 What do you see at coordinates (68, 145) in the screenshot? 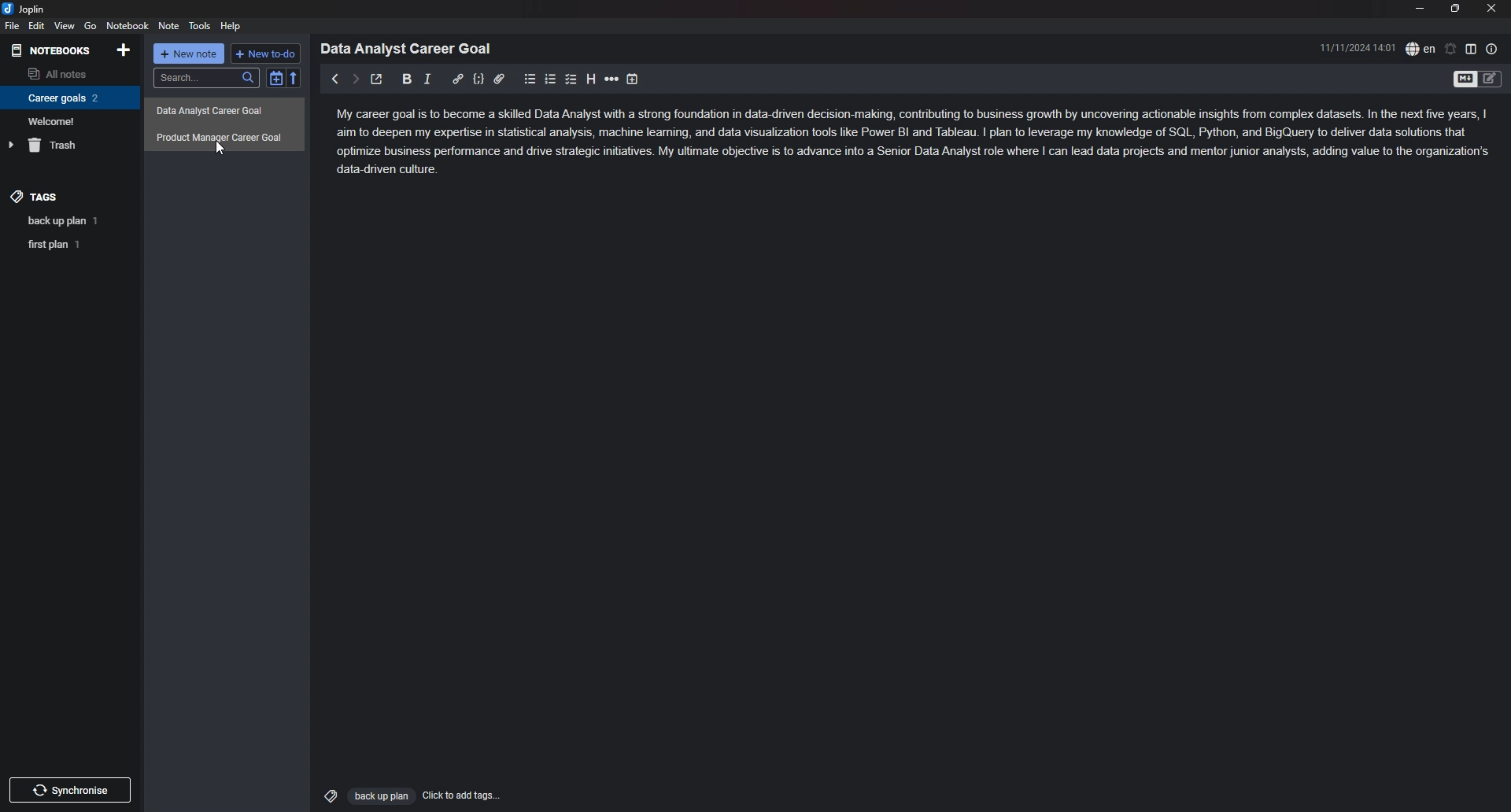
I see `trash` at bounding box center [68, 145].